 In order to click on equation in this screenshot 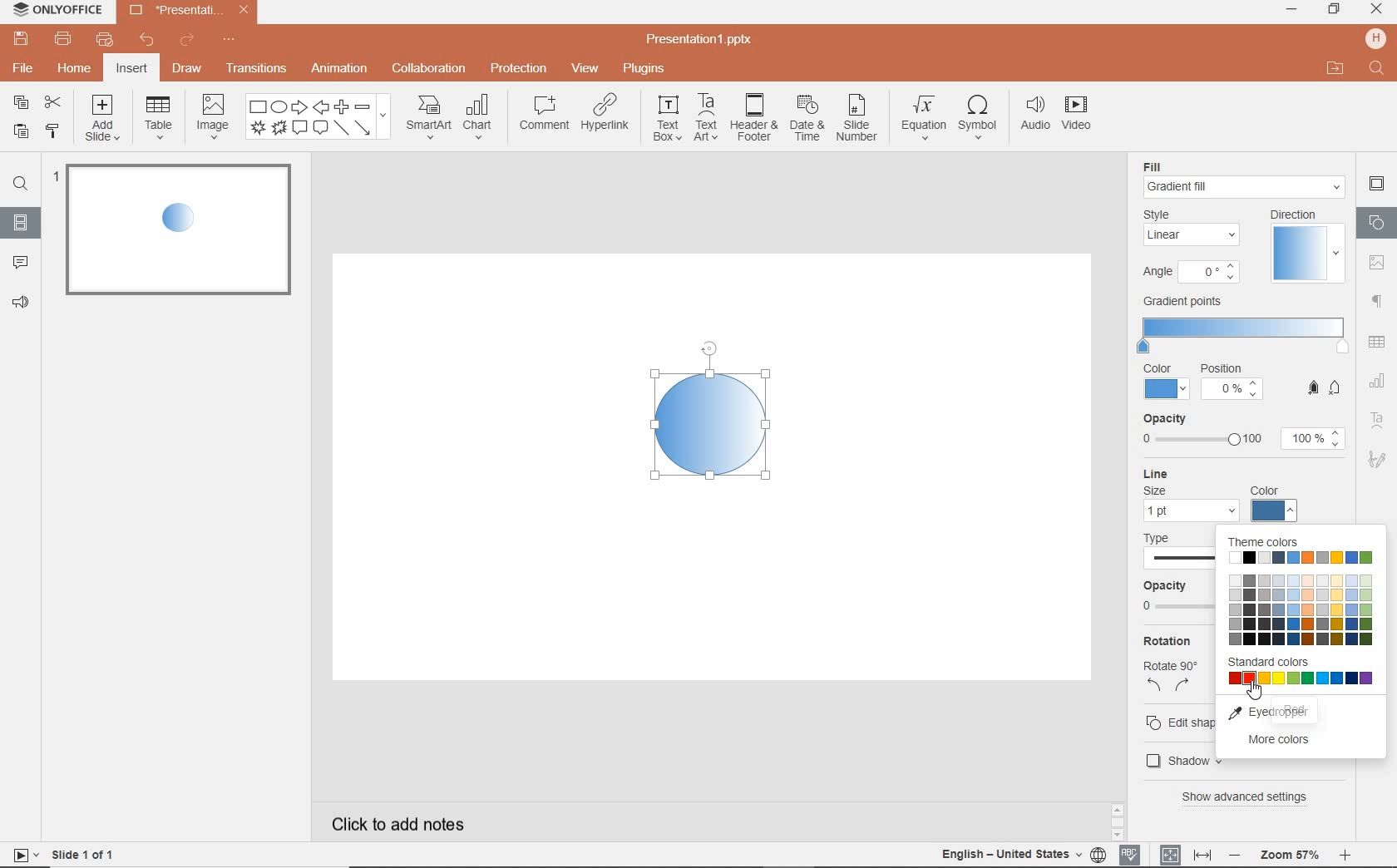, I will do `click(922, 117)`.